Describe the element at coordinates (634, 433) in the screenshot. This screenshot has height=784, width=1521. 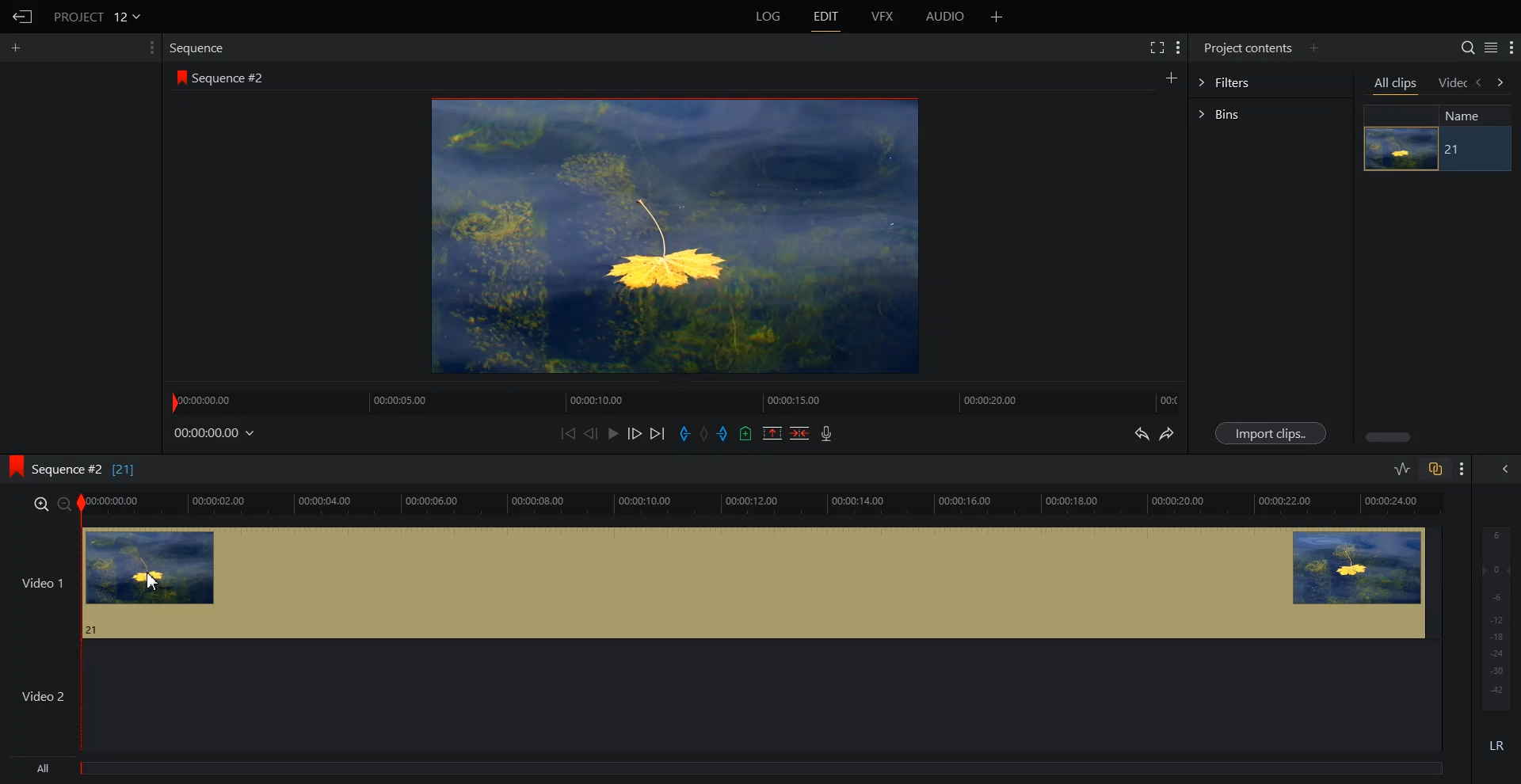
I see `Nudge One frame Forwards` at that location.